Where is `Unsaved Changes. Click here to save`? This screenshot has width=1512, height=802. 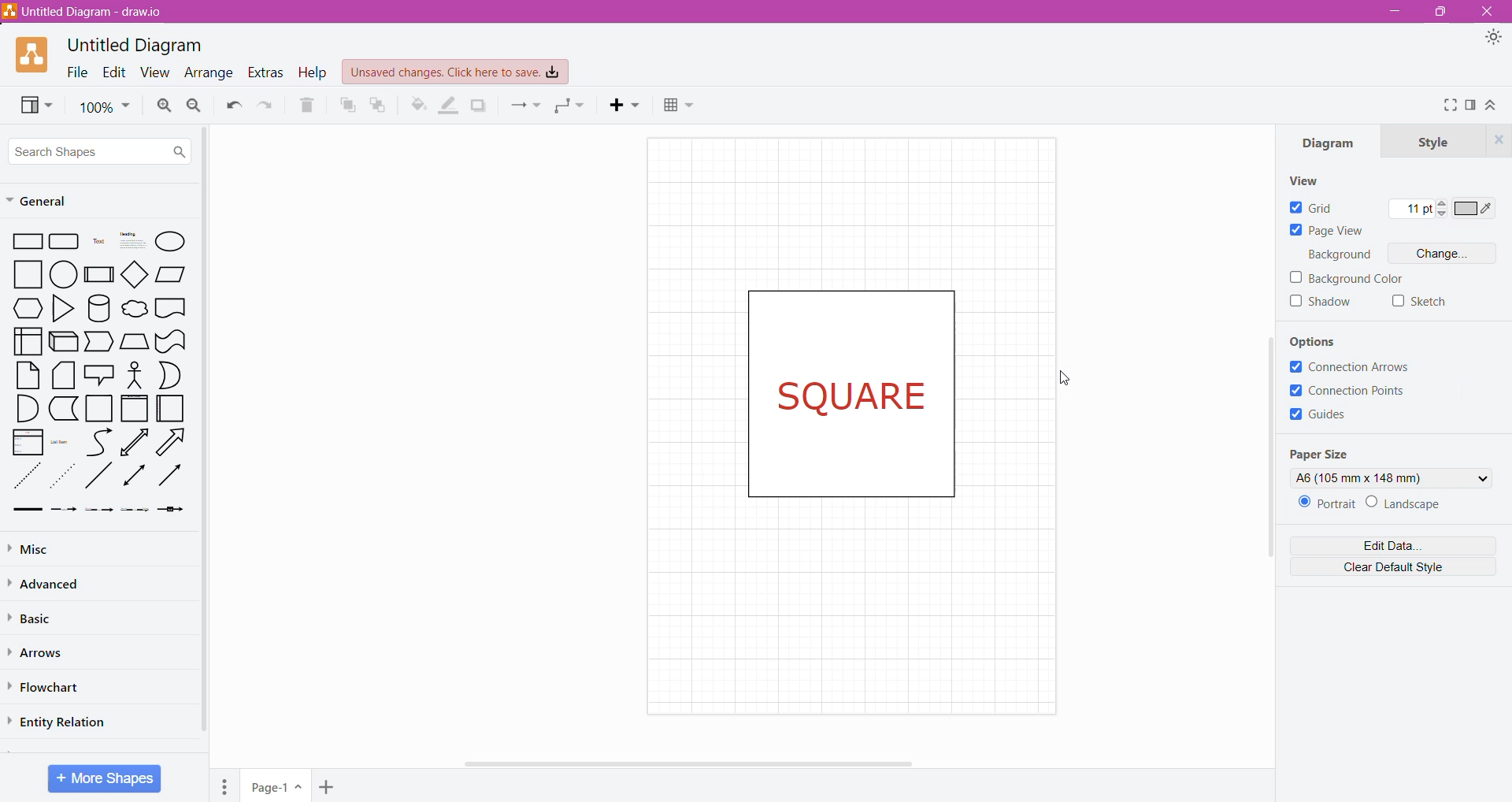 Unsaved Changes. Click here to save is located at coordinates (456, 72).